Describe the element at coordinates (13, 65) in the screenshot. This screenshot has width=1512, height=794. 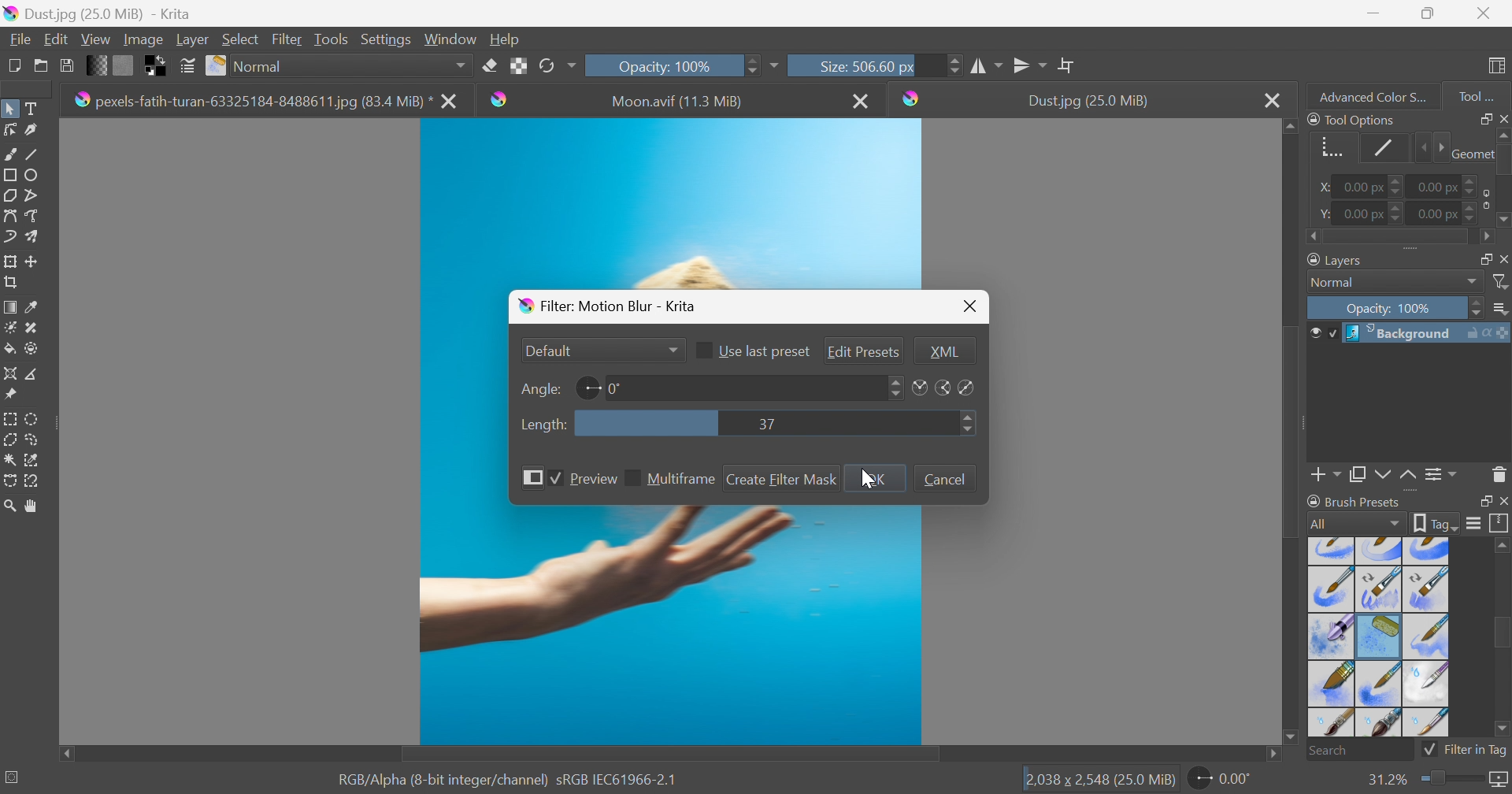
I see `Create new document` at that location.